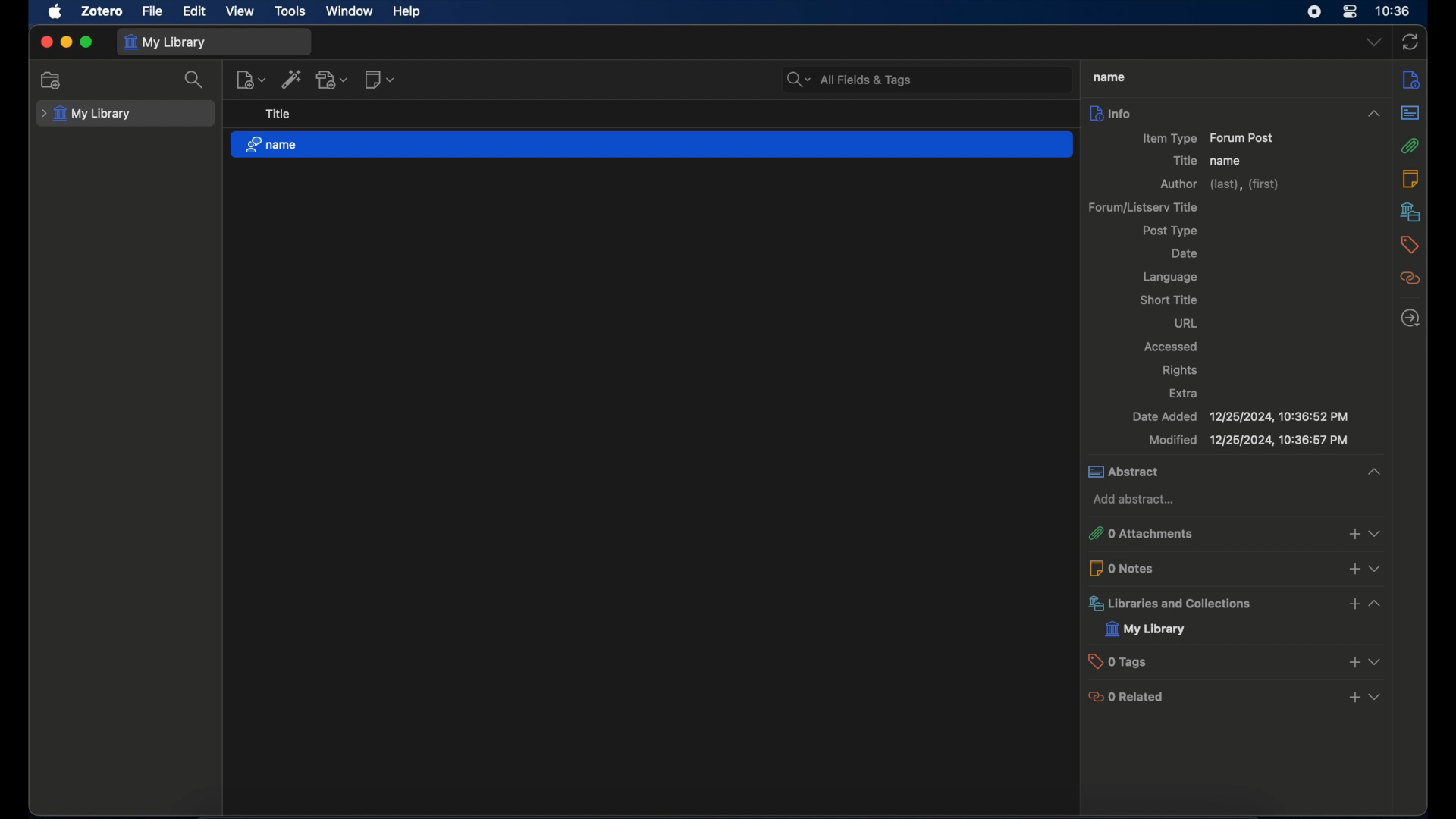 Image resolution: width=1456 pixels, height=819 pixels. Describe the element at coordinates (1237, 697) in the screenshot. I see `0 related` at that location.